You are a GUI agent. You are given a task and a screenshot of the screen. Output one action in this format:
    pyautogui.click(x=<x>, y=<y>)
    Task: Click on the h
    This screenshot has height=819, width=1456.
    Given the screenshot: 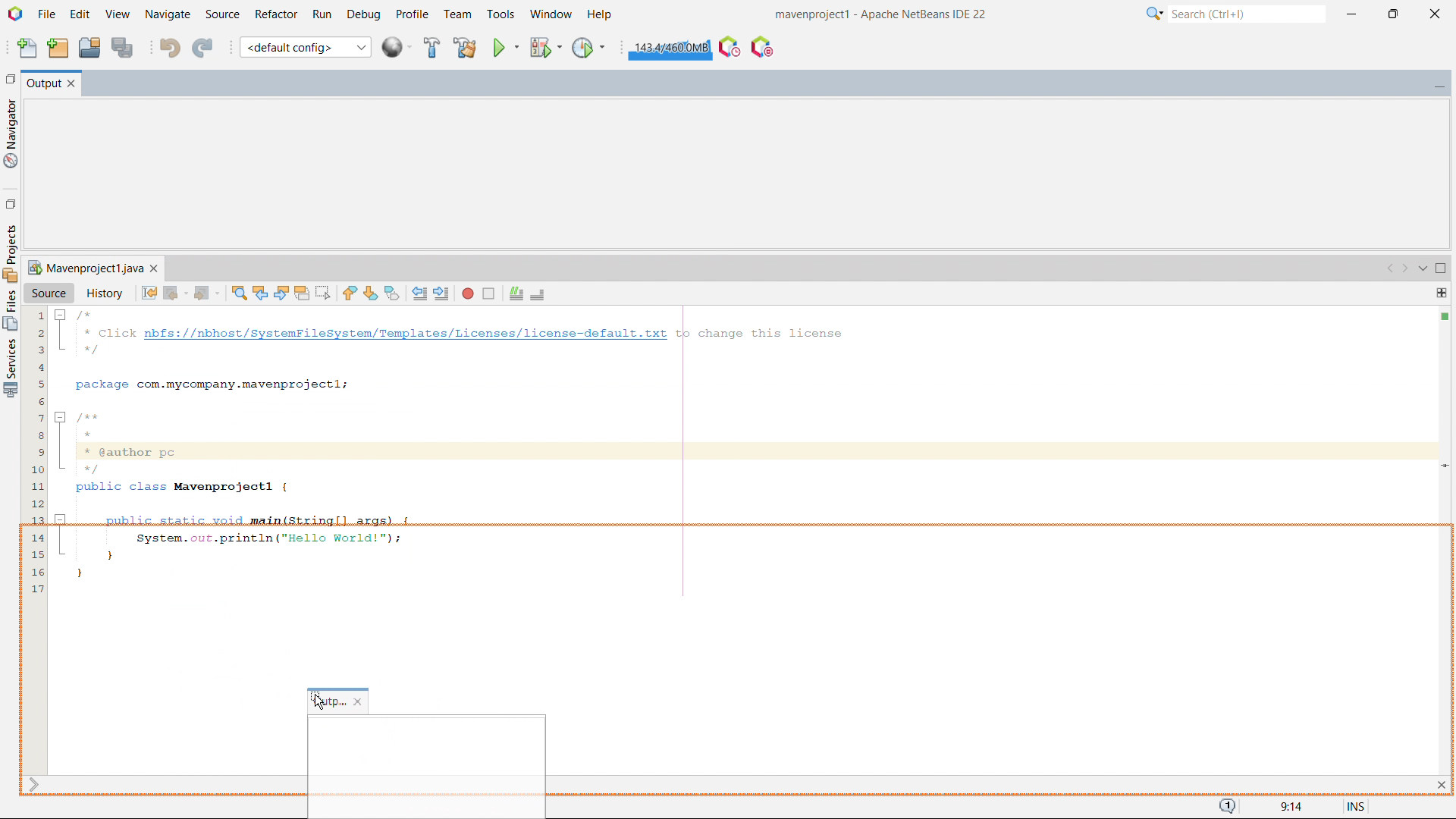 What is the action you would take?
    pyautogui.click(x=601, y=14)
    